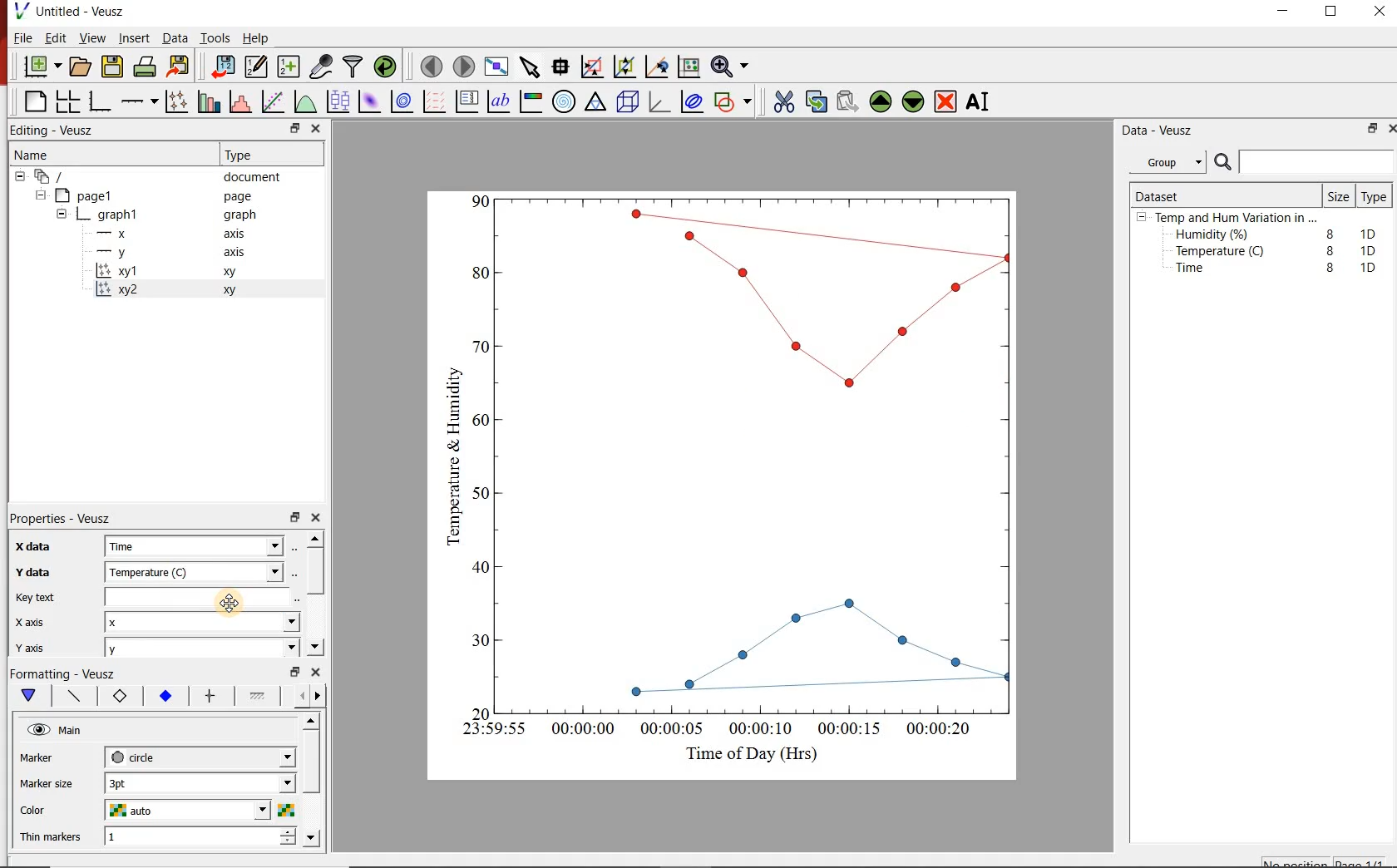 Image resolution: width=1397 pixels, height=868 pixels. I want to click on Main, so click(82, 732).